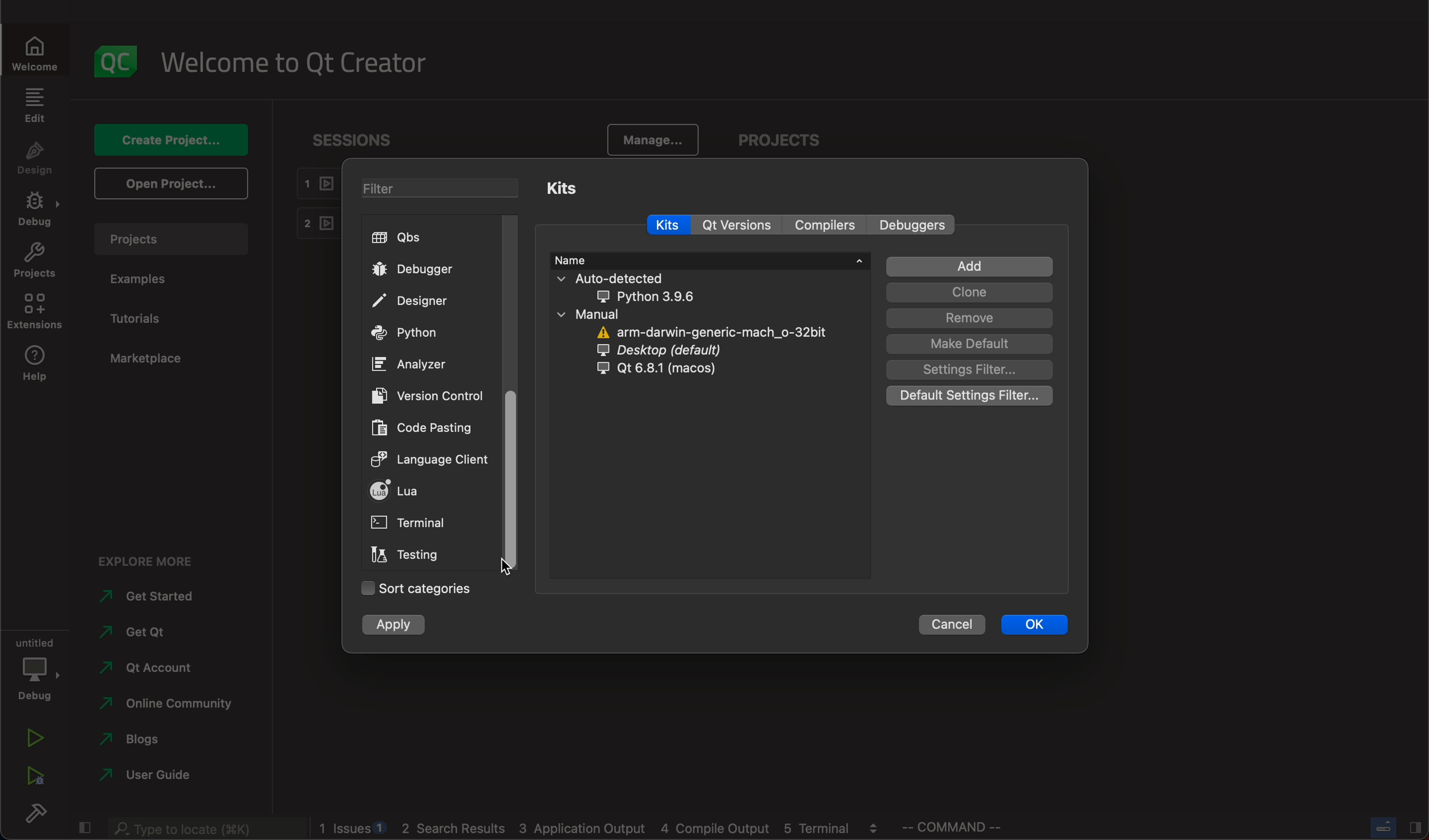 The height and width of the screenshot is (840, 1429). I want to click on defULT, so click(973, 397).